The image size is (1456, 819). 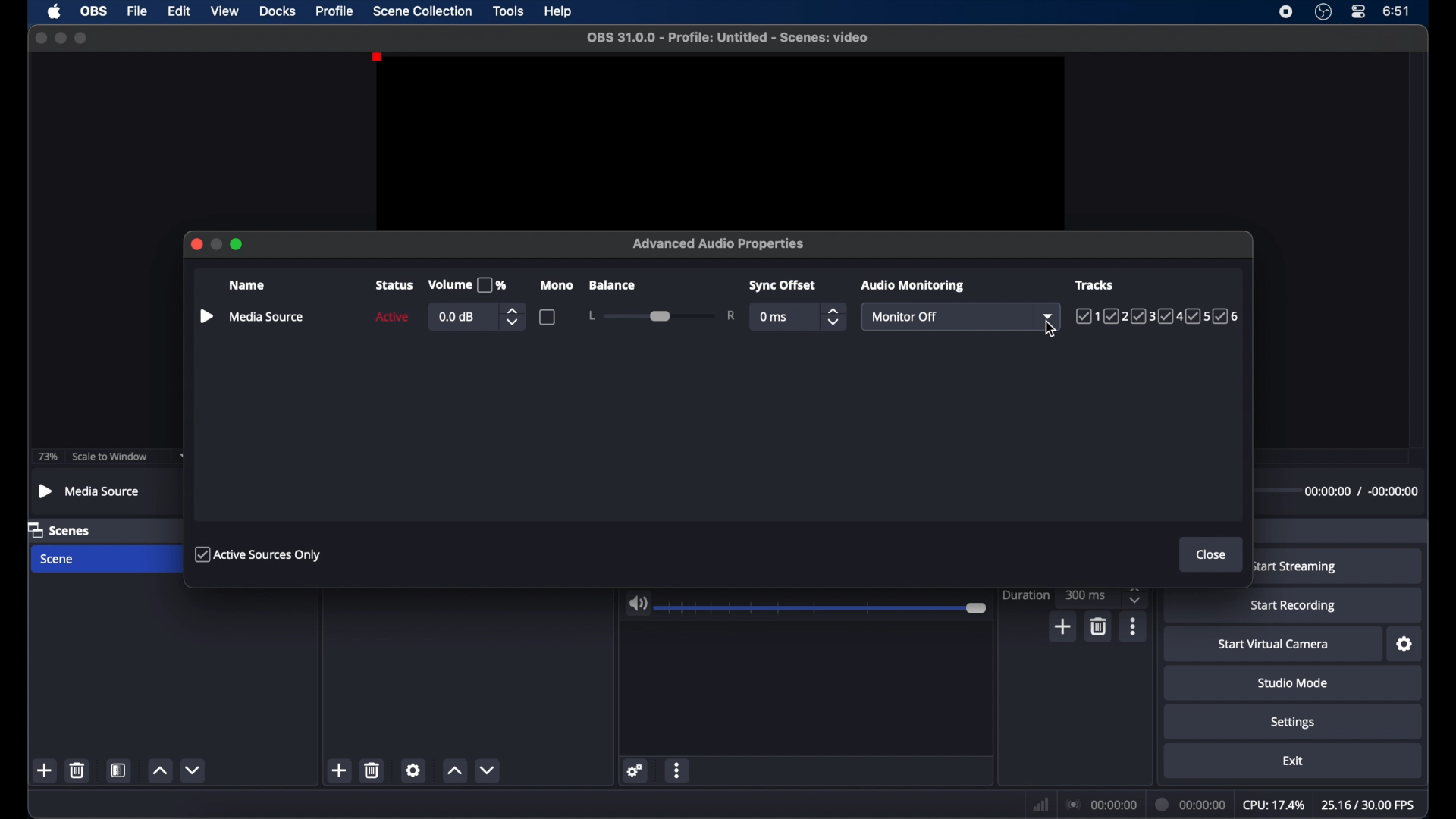 I want to click on tracks, so click(x=1095, y=285).